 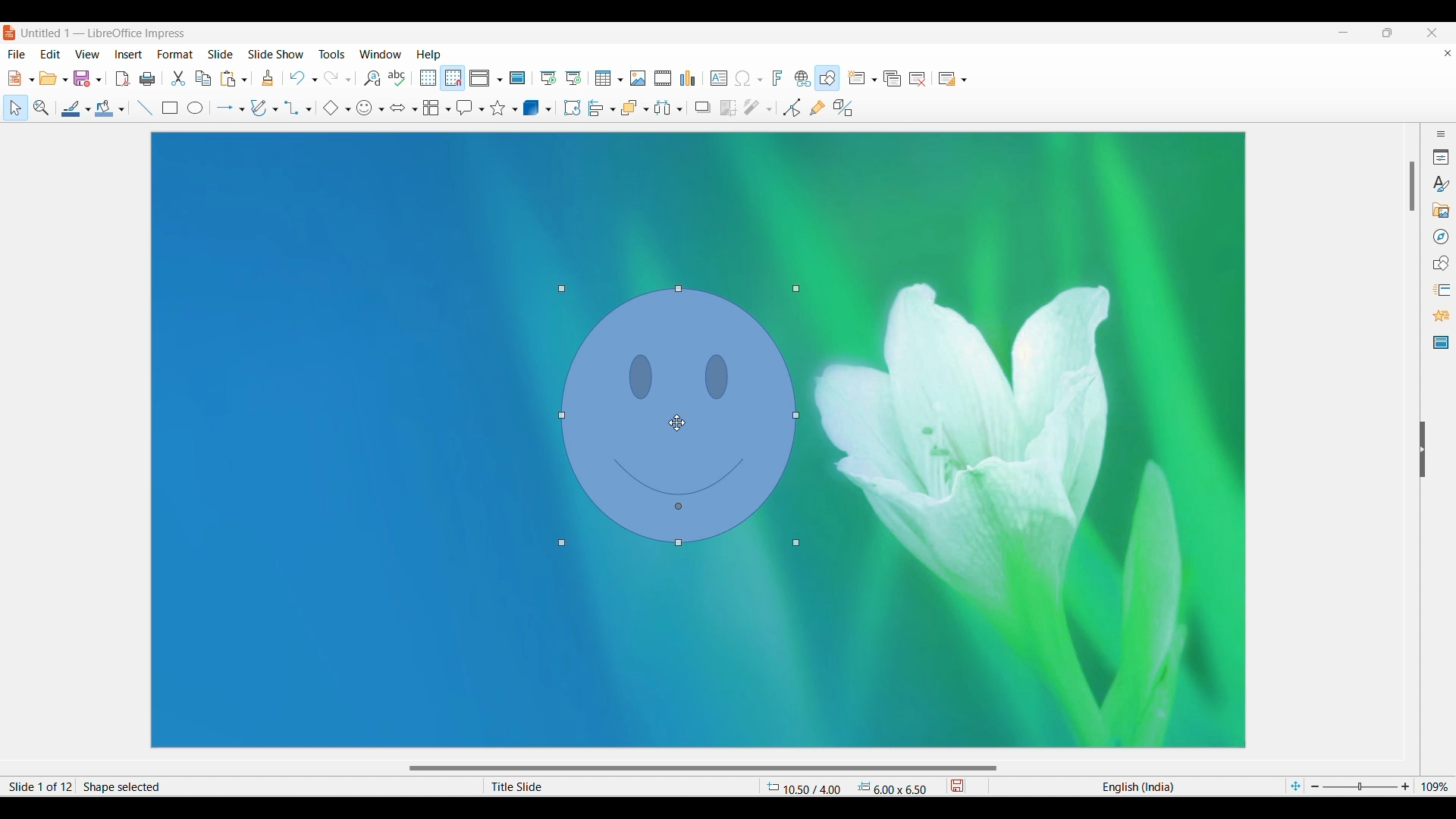 I want to click on New slide options, so click(x=874, y=80).